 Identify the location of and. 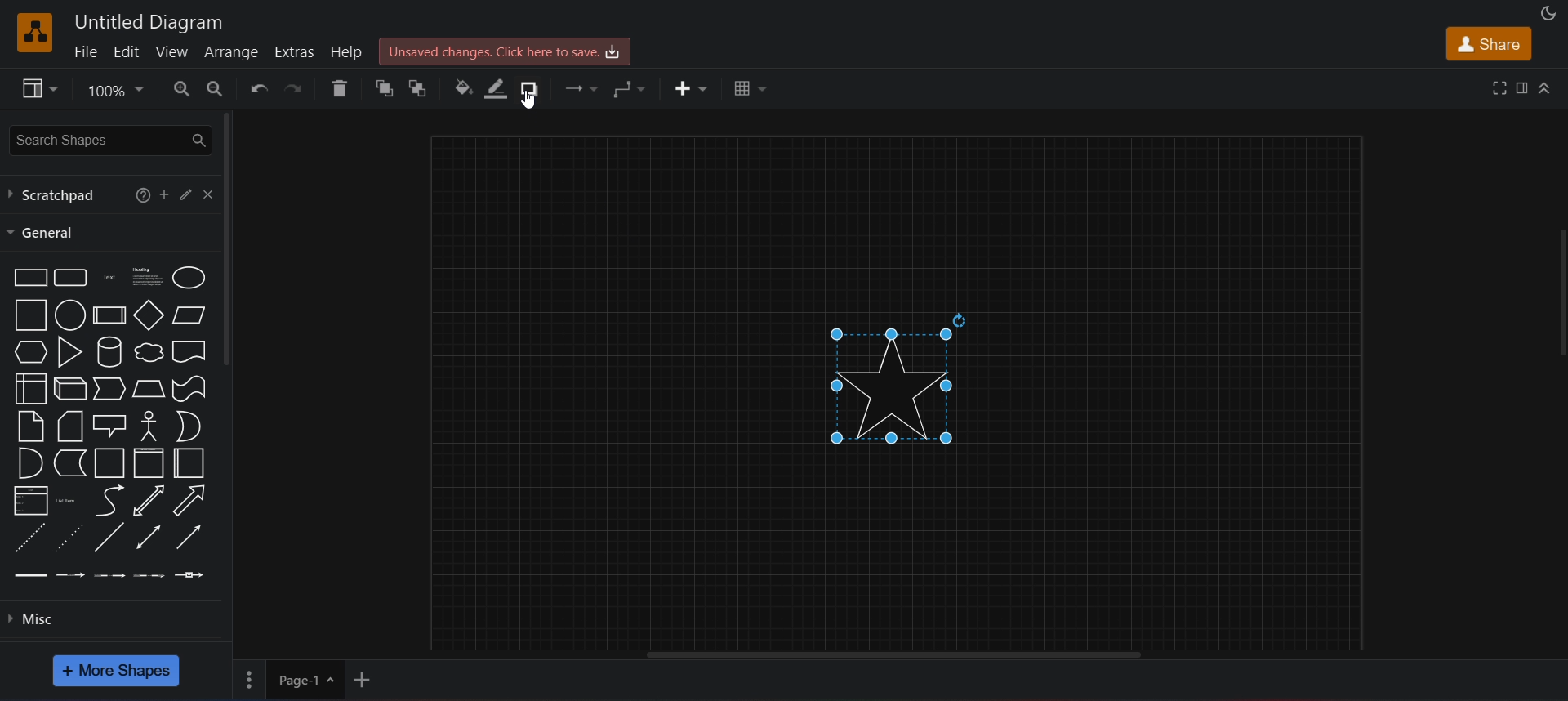
(29, 463).